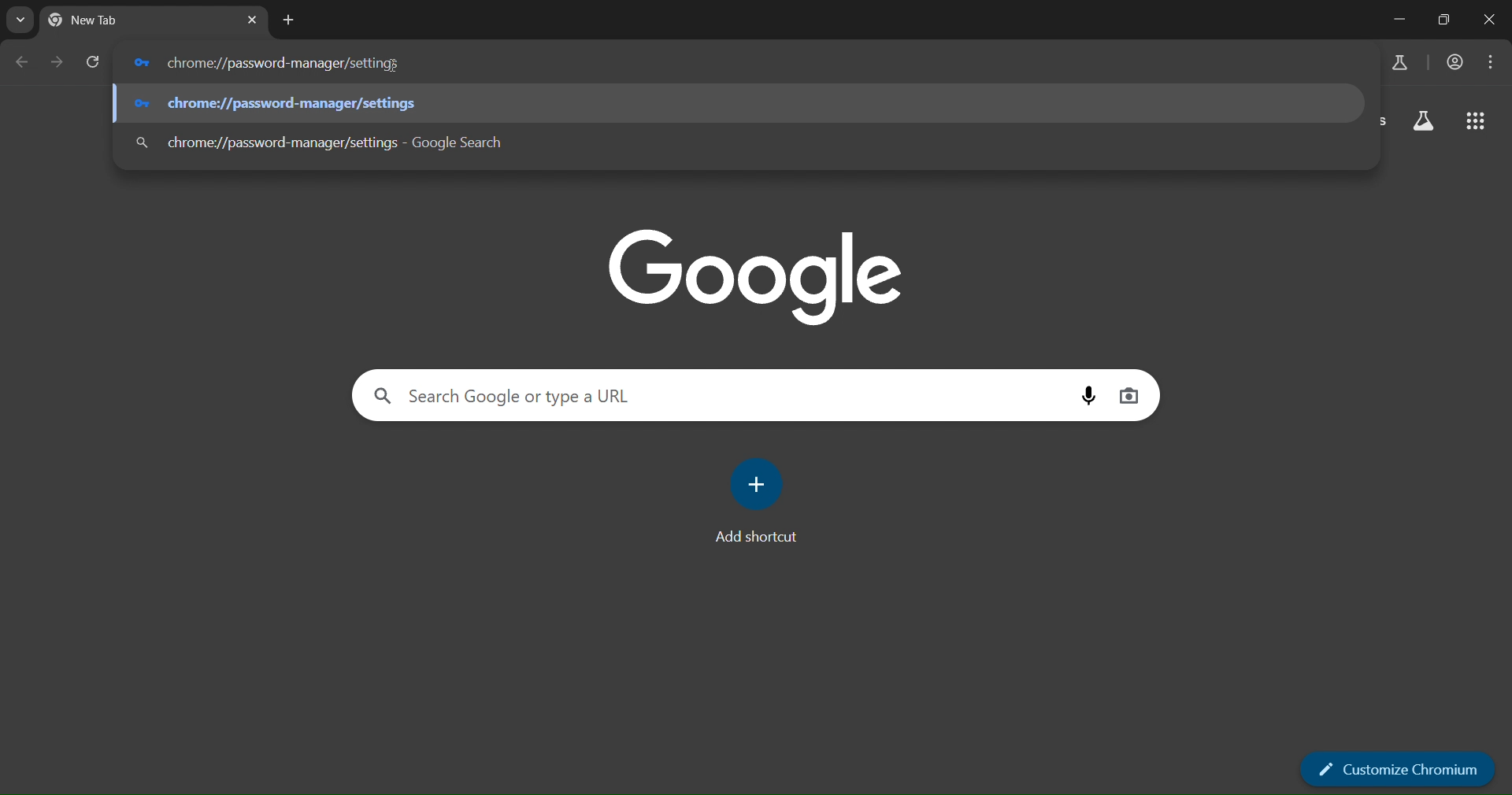  What do you see at coordinates (1492, 62) in the screenshot?
I see `menu` at bounding box center [1492, 62].